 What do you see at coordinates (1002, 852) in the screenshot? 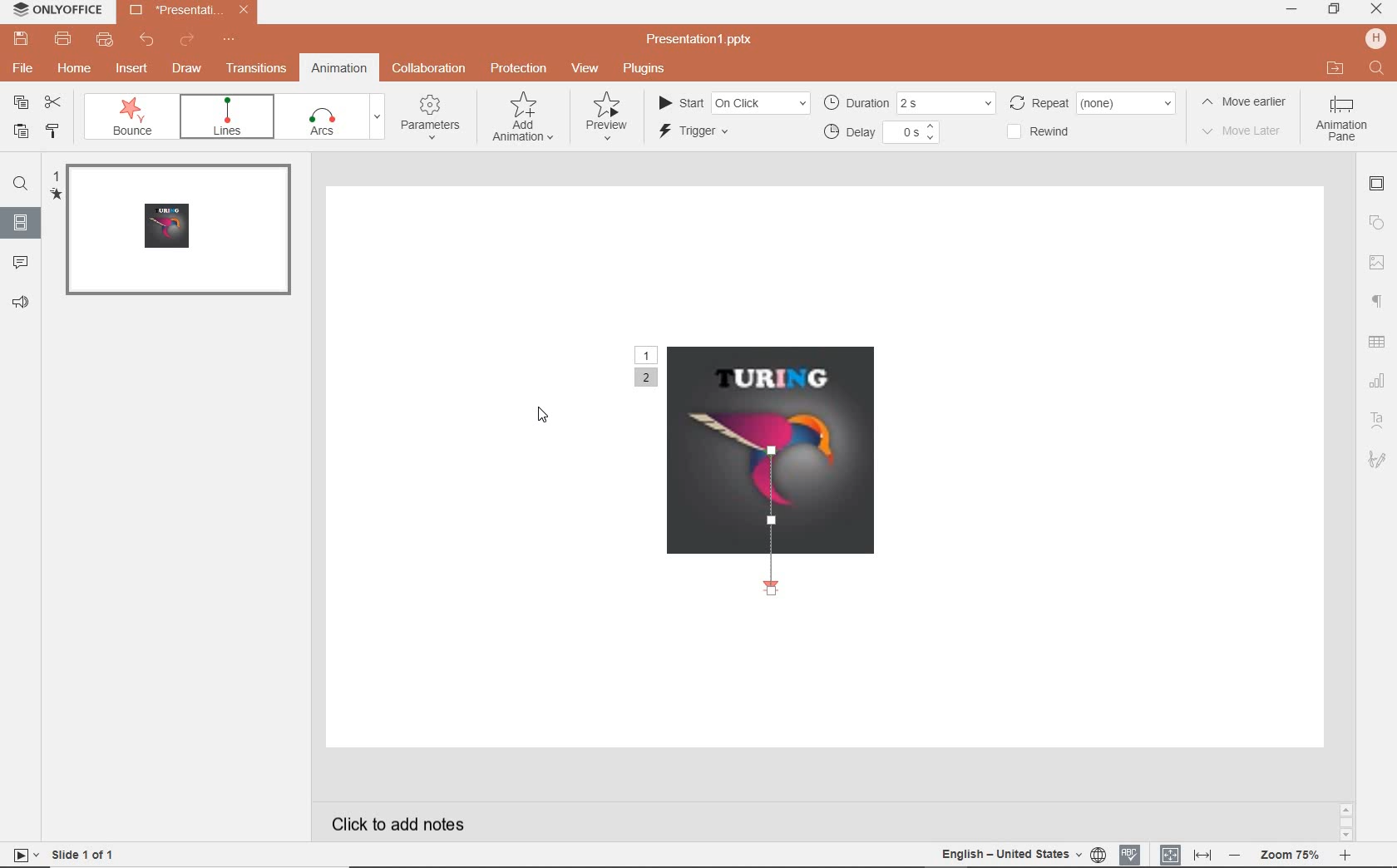
I see `english` at bounding box center [1002, 852].